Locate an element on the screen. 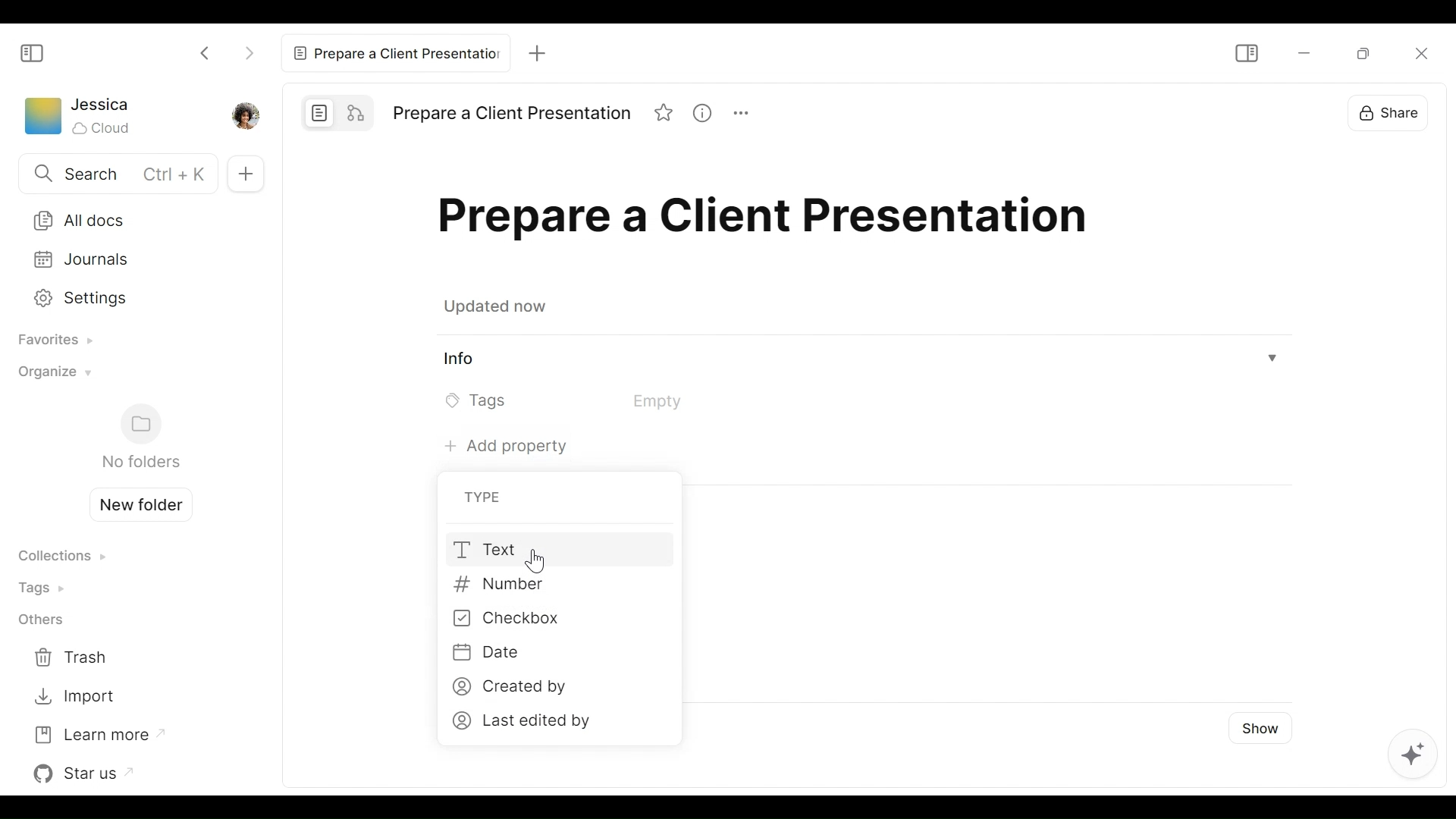 The width and height of the screenshot is (1456, 819). All Documents is located at coordinates (130, 219).